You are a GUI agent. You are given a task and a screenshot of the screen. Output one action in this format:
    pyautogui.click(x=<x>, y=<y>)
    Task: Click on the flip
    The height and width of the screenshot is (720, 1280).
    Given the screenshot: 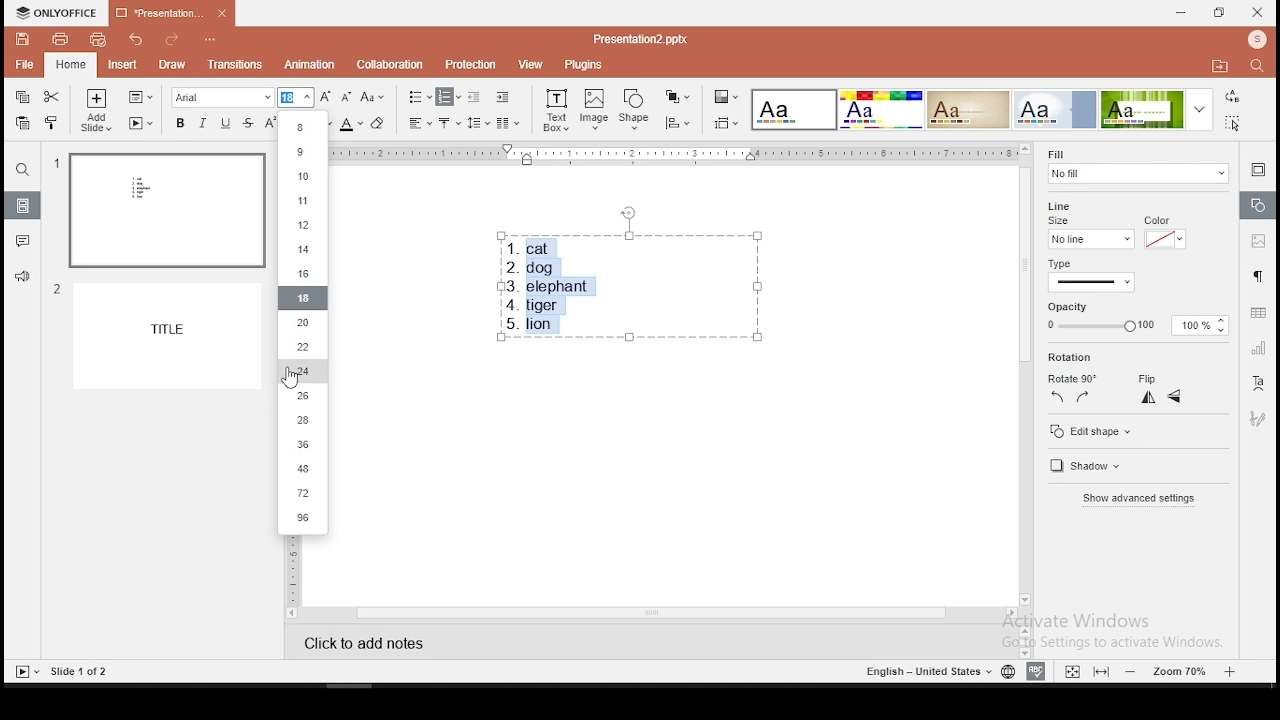 What is the action you would take?
    pyautogui.click(x=1144, y=379)
    